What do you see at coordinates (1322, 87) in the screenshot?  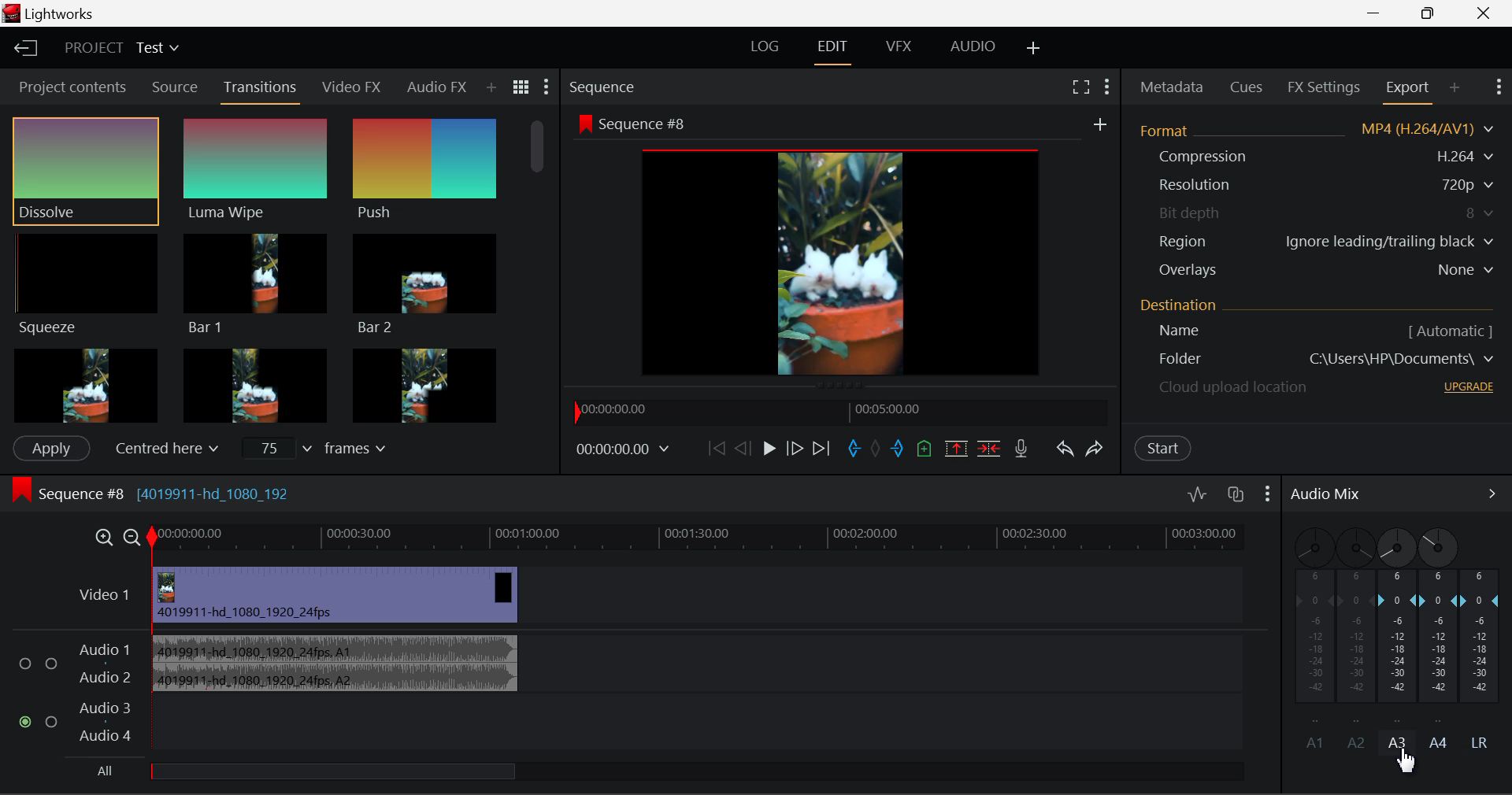 I see `FX Settings` at bounding box center [1322, 87].